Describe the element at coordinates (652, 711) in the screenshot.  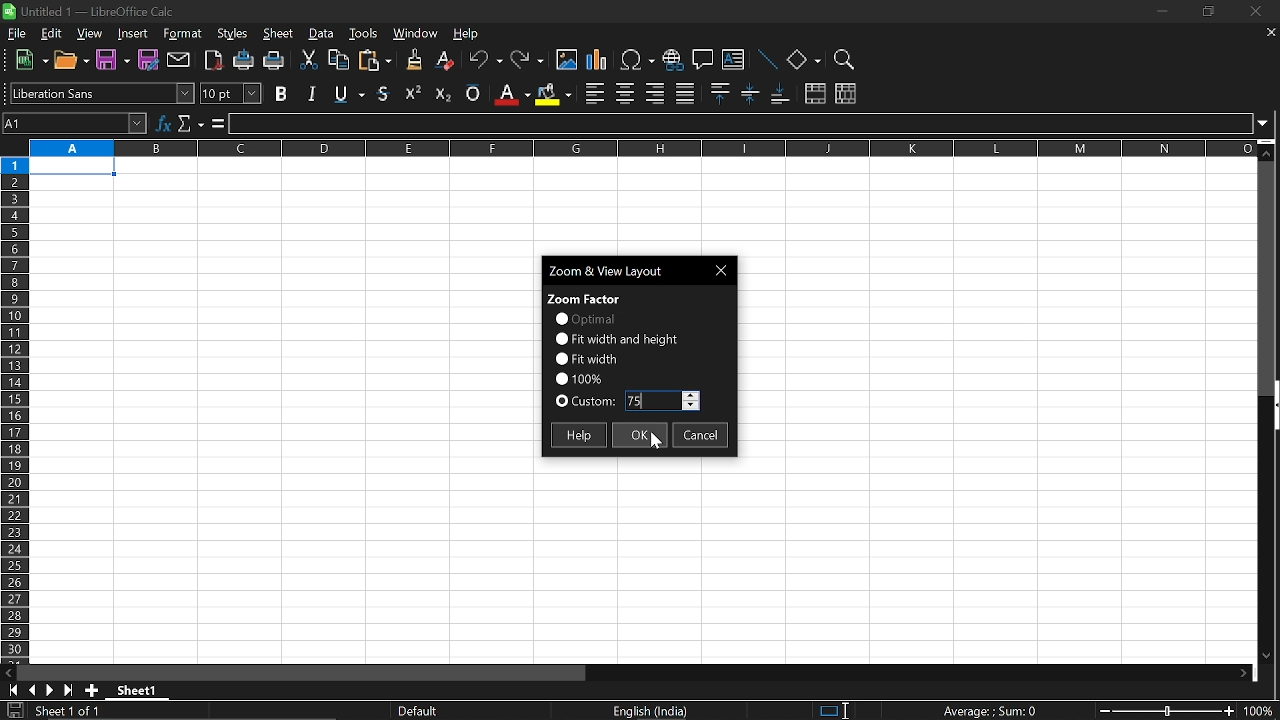
I see `current language` at that location.